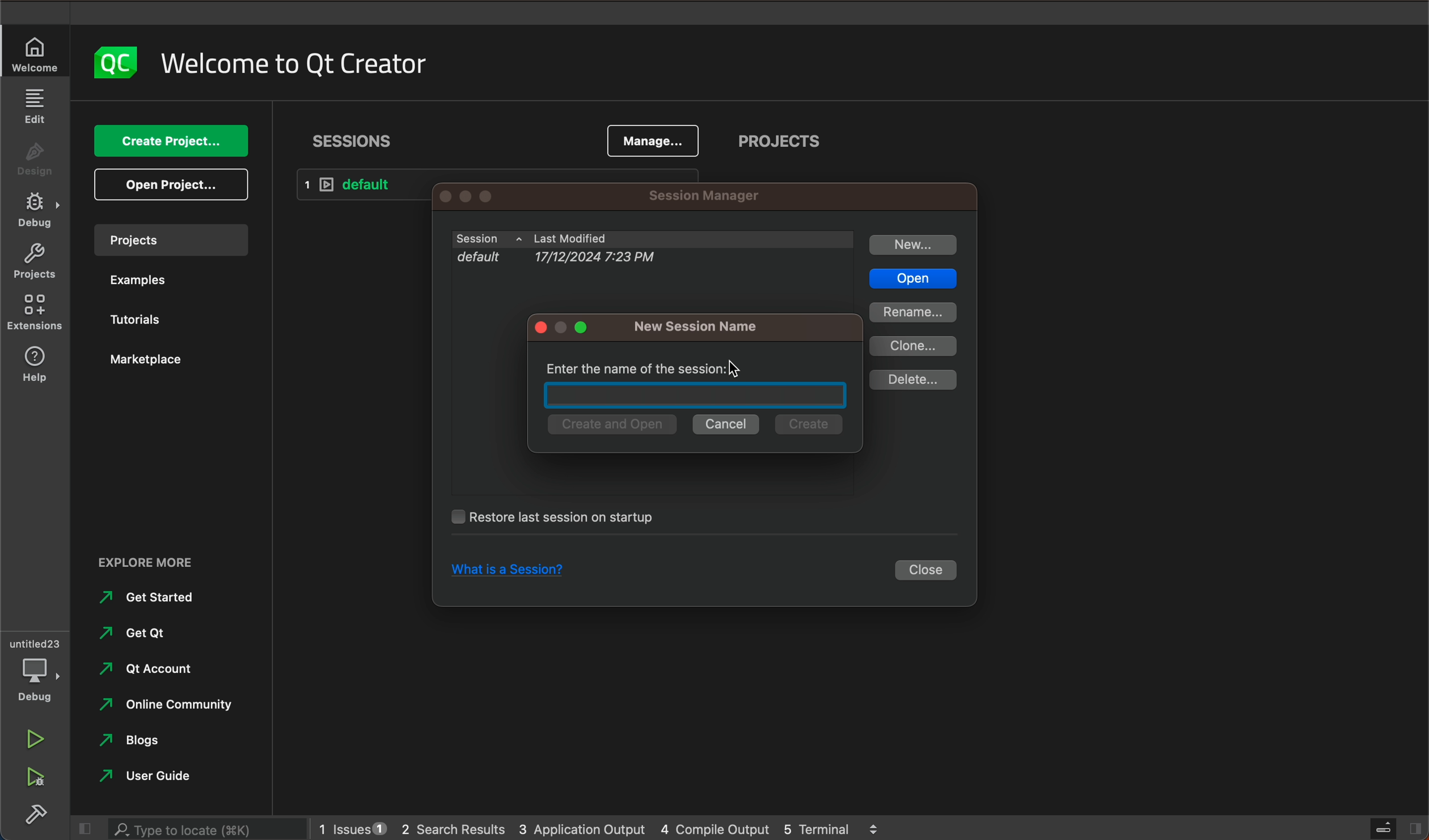 The image size is (1429, 840). I want to click on name, so click(694, 397).